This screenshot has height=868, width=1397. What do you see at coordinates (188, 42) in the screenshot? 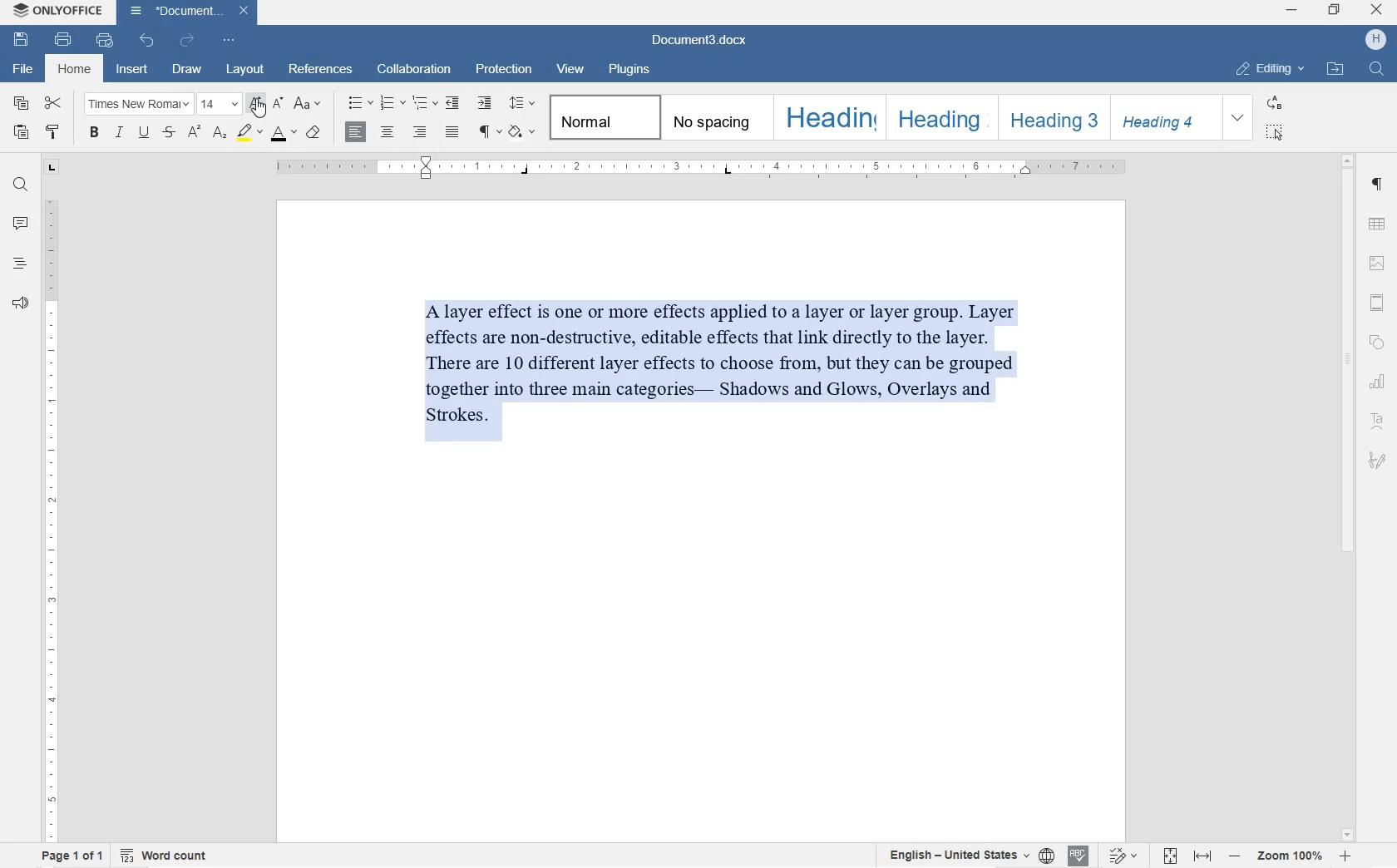
I see `redo` at bounding box center [188, 42].